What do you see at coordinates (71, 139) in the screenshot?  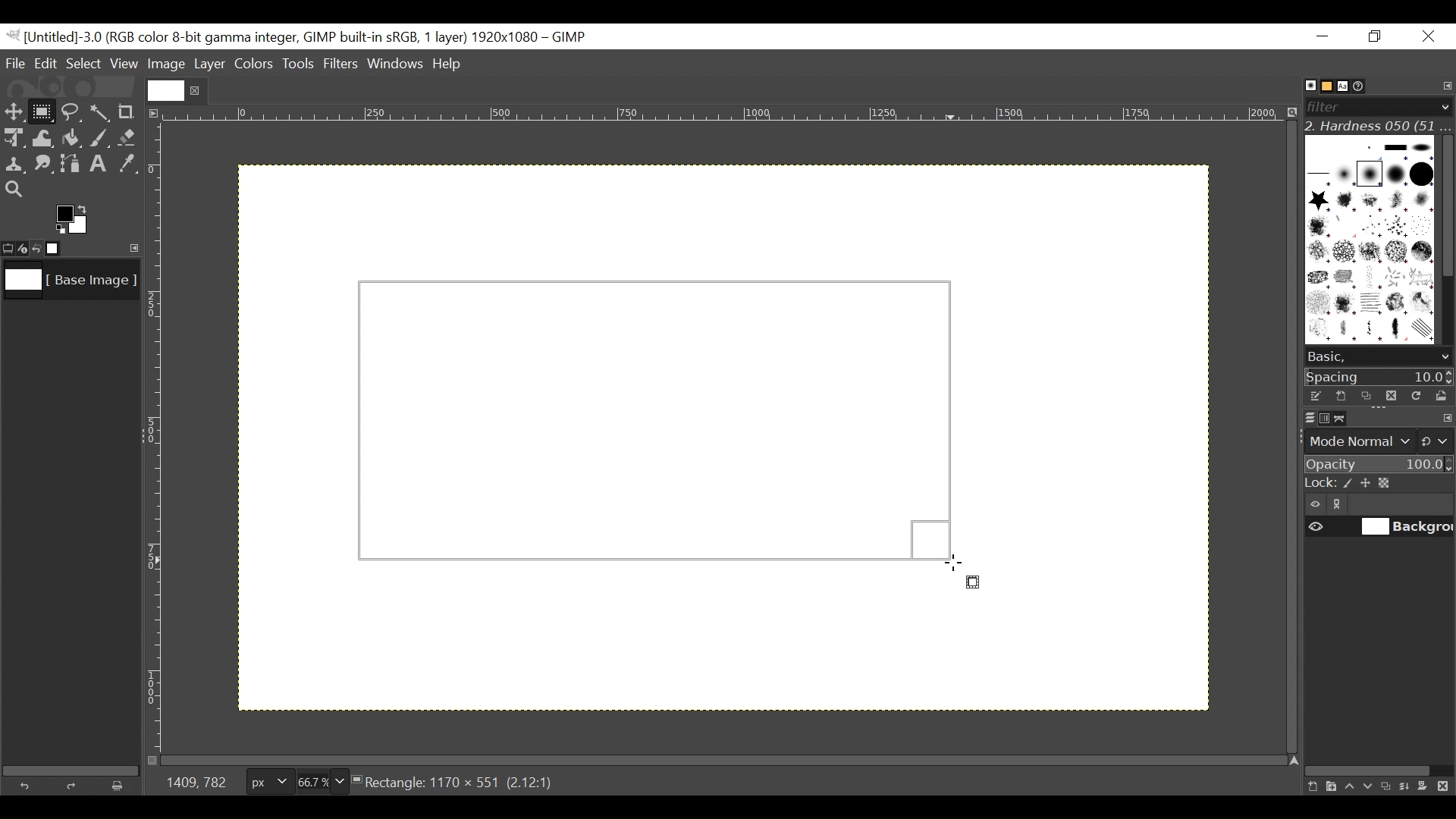 I see `Bucket Fill tool` at bounding box center [71, 139].